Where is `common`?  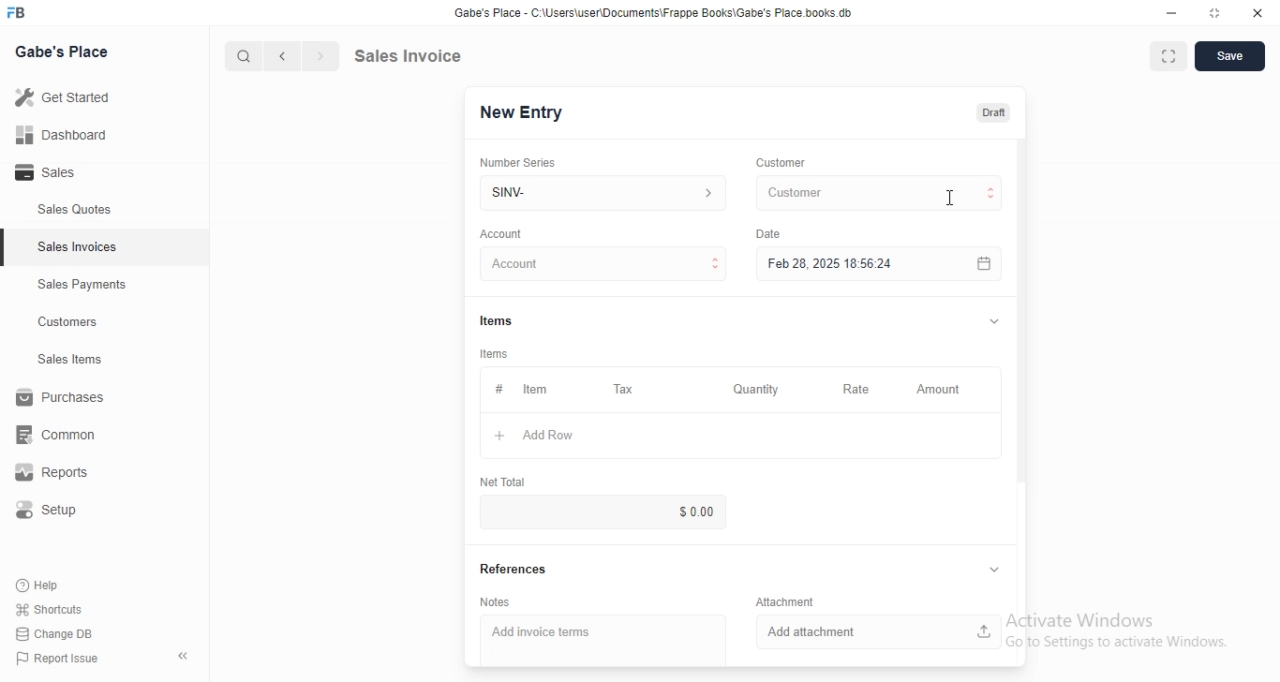 common is located at coordinates (62, 434).